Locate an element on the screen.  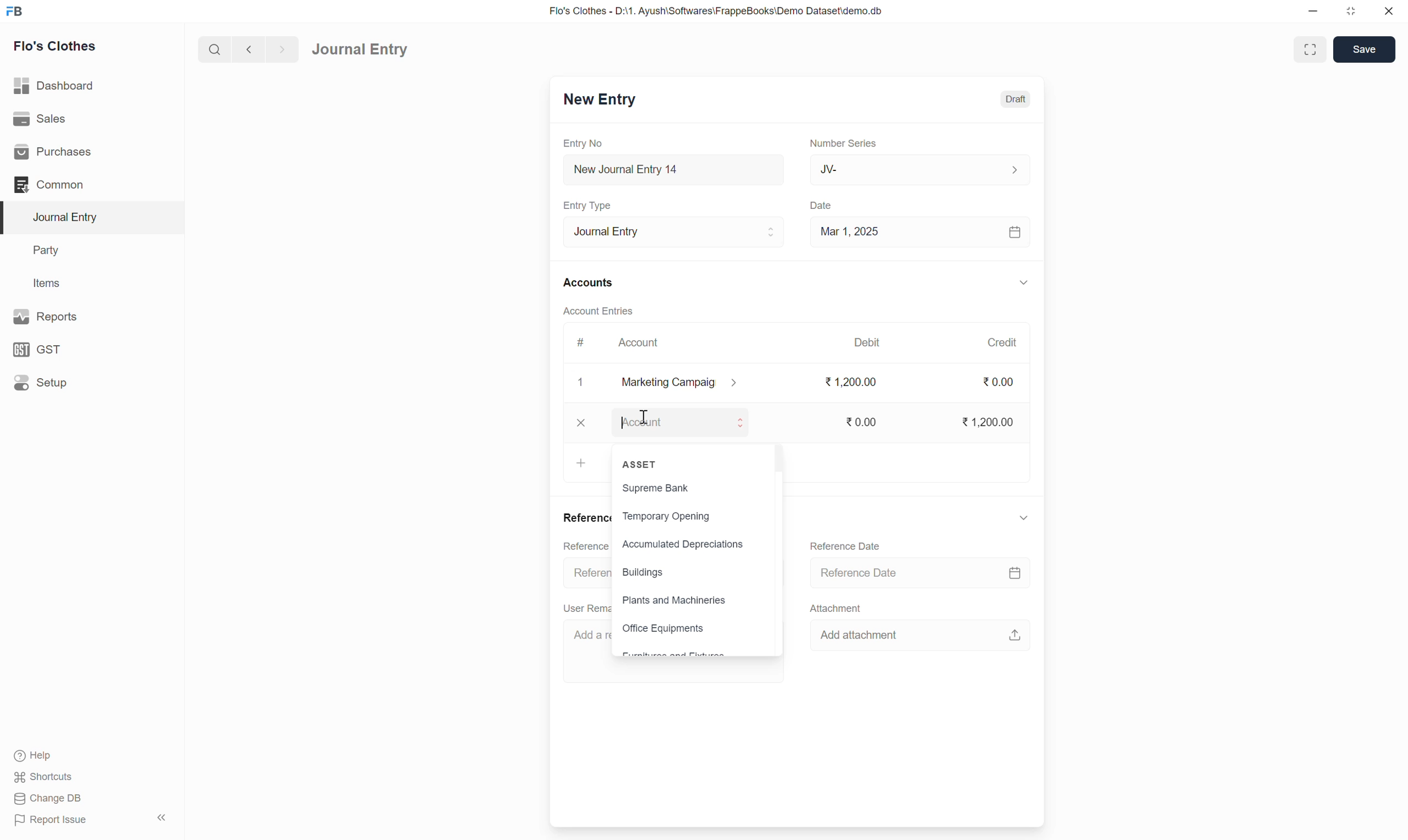
cursor is located at coordinates (644, 417).